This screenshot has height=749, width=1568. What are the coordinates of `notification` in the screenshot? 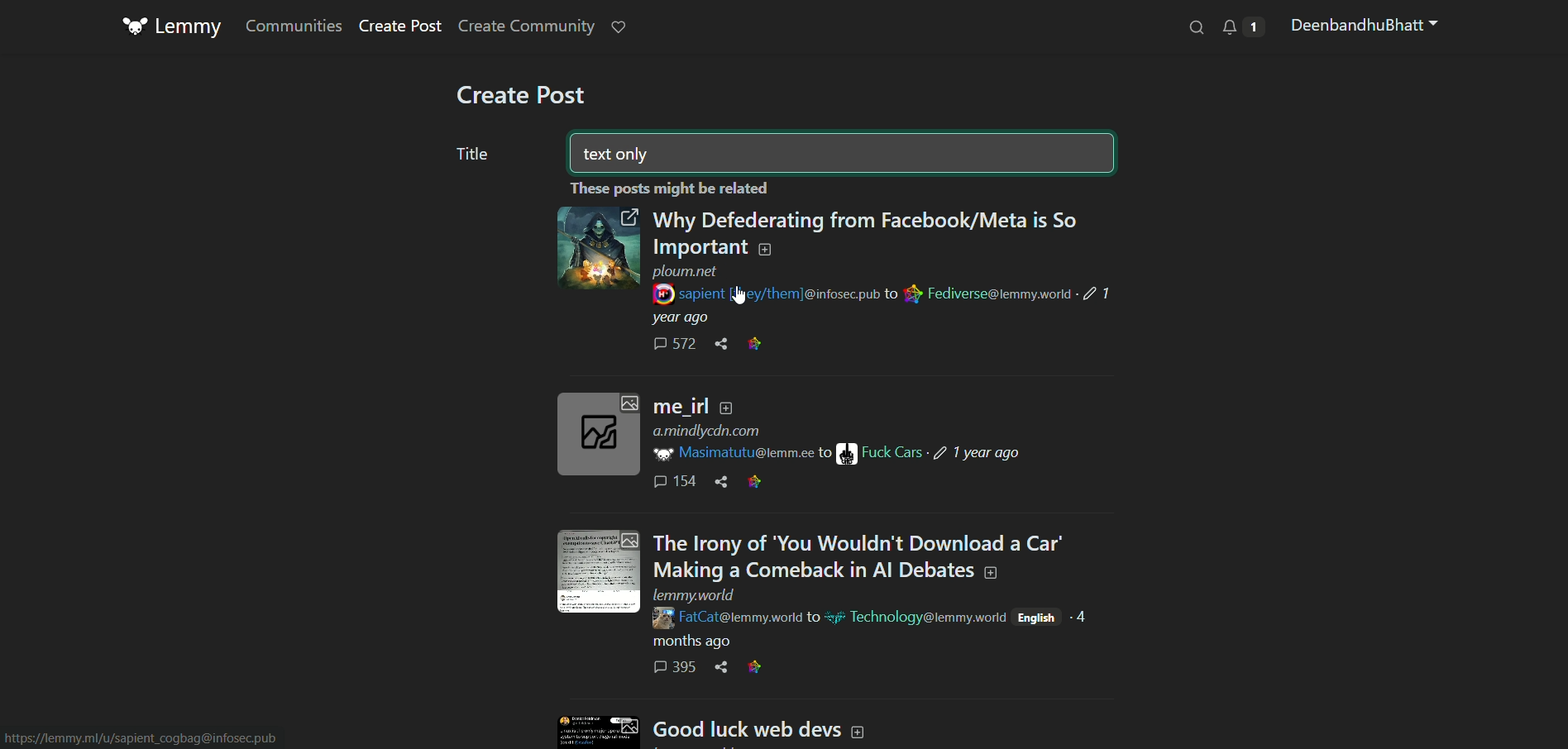 It's located at (1241, 28).